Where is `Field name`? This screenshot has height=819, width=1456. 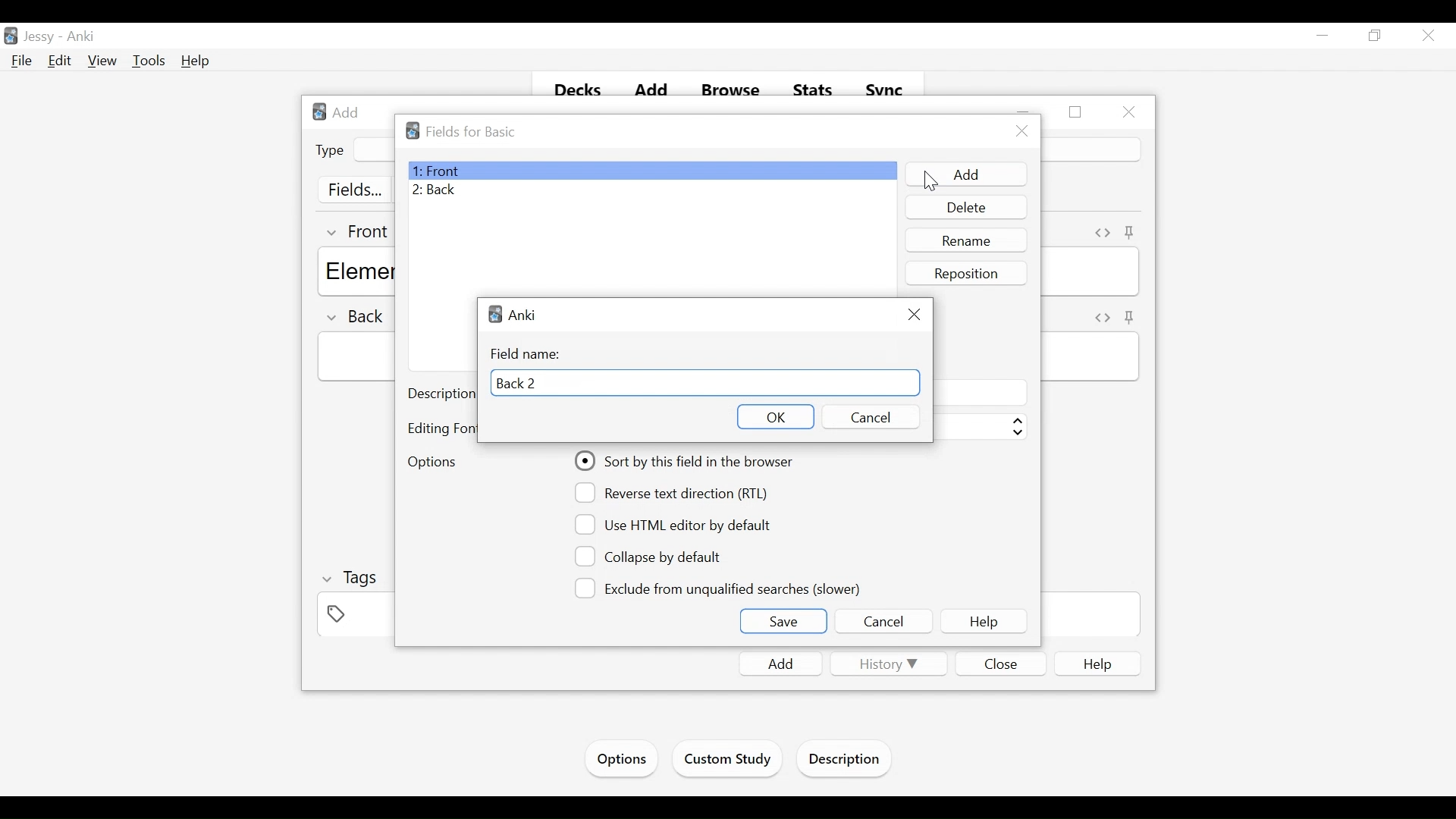 Field name is located at coordinates (528, 355).